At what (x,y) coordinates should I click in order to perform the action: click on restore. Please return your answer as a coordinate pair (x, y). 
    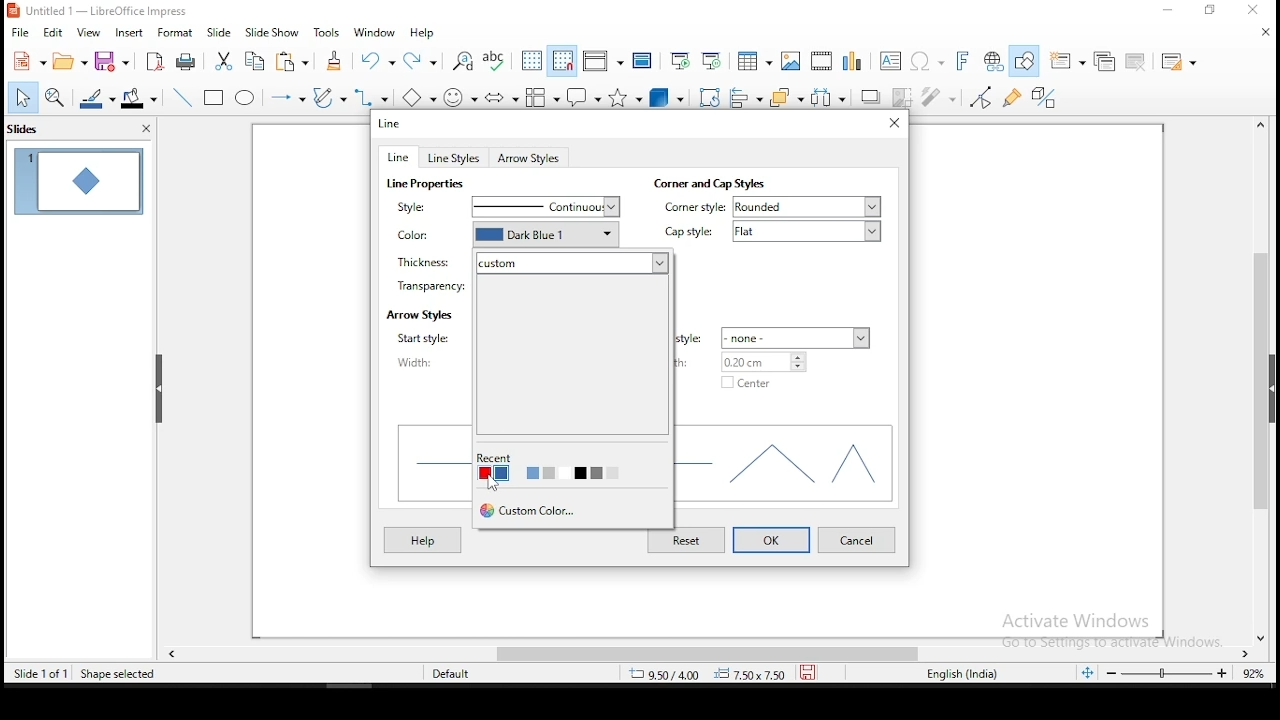
    Looking at the image, I should click on (1209, 10).